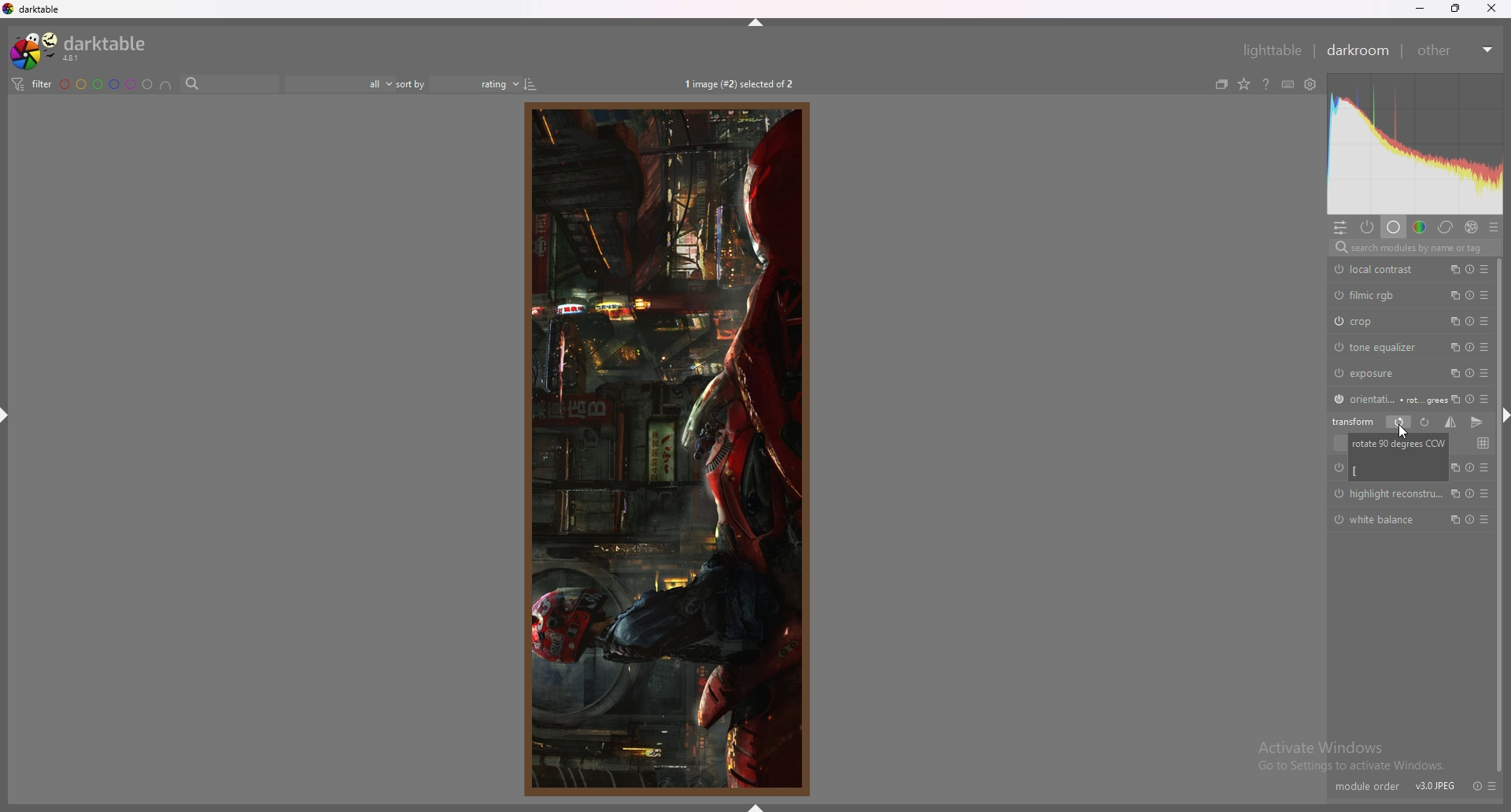 The height and width of the screenshot is (812, 1511). Describe the element at coordinates (1454, 8) in the screenshot. I see `resize` at that location.